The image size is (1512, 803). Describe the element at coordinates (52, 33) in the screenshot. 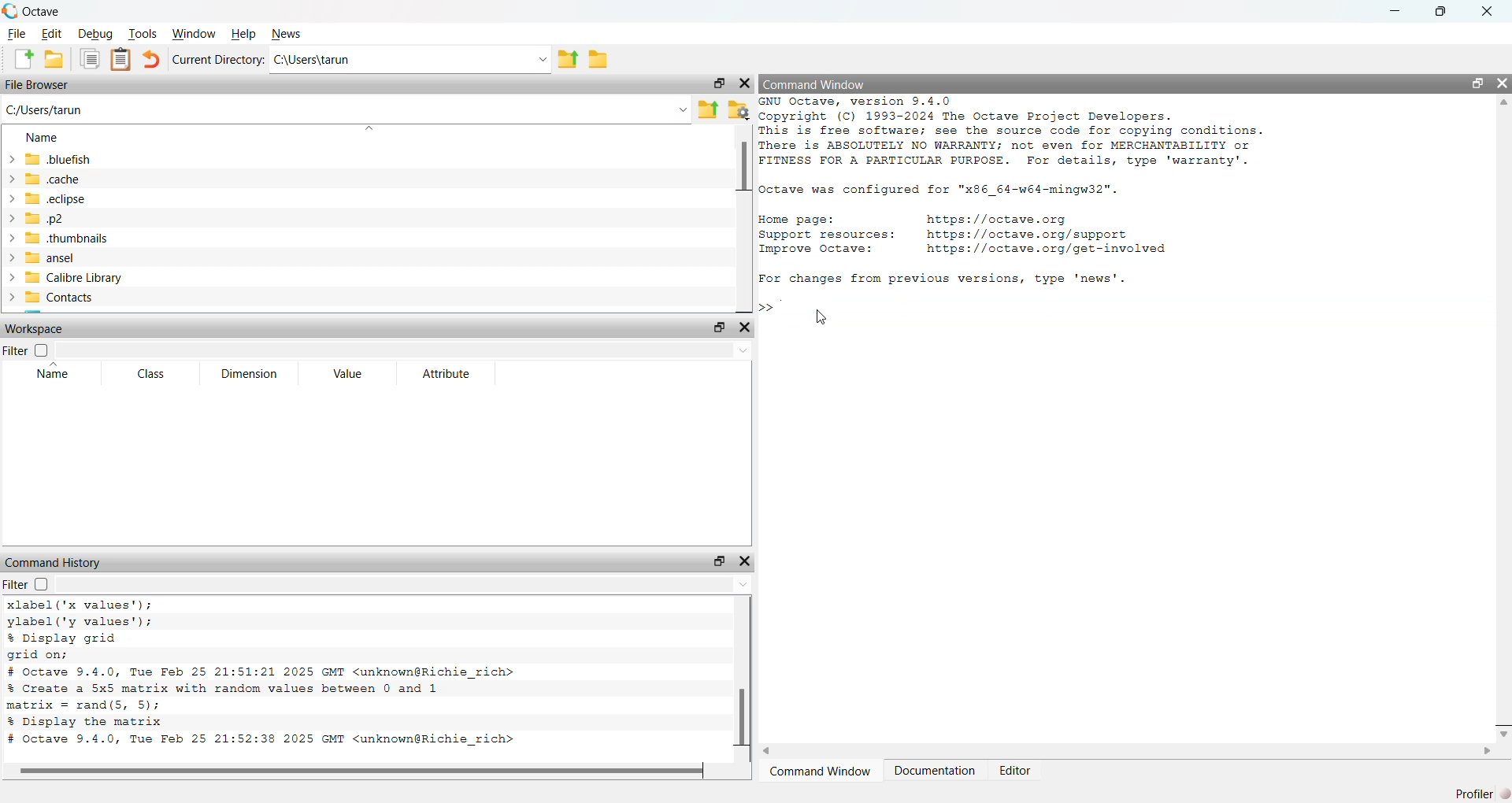

I see `Edit` at that location.